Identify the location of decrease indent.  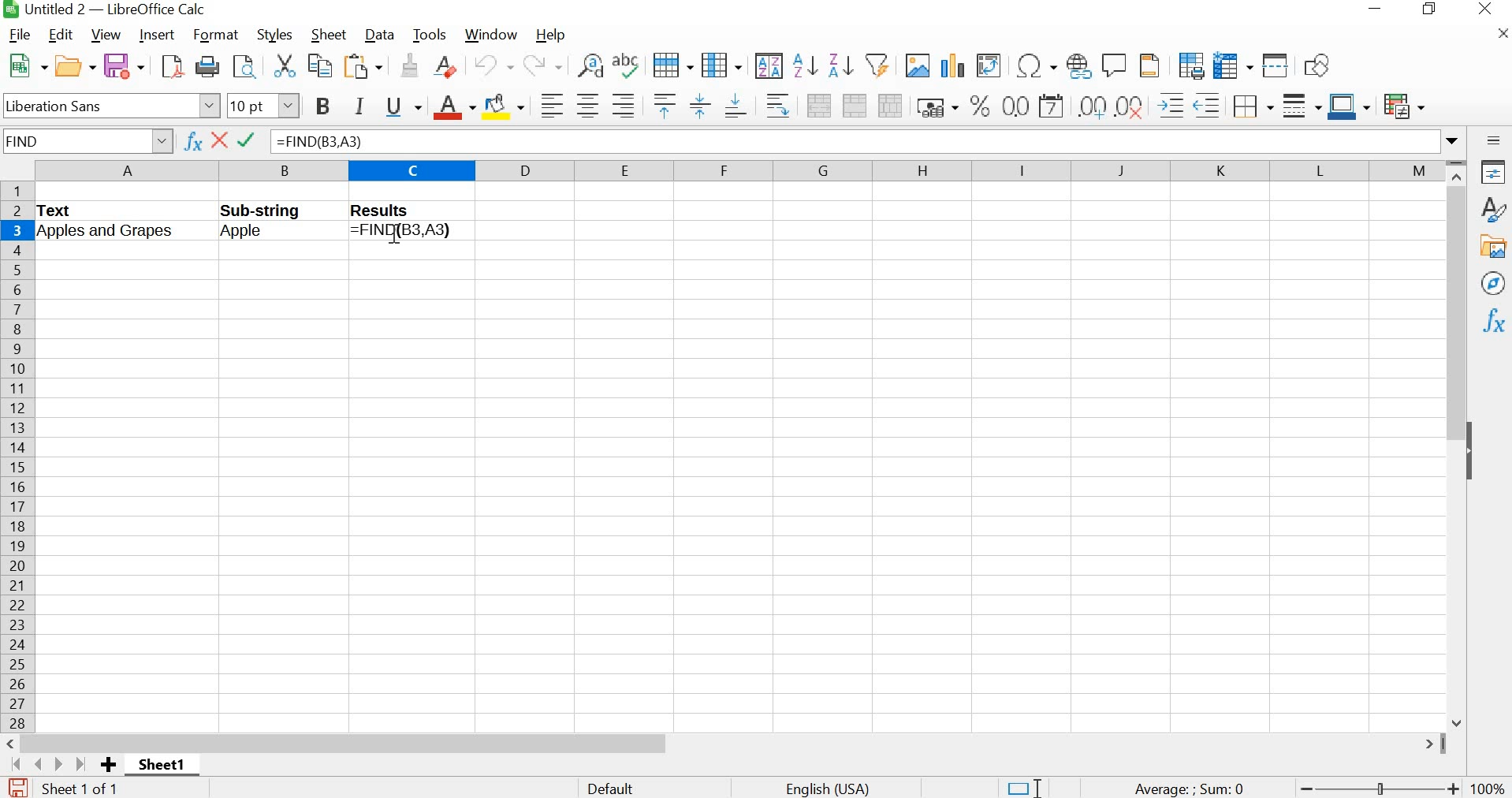
(1207, 104).